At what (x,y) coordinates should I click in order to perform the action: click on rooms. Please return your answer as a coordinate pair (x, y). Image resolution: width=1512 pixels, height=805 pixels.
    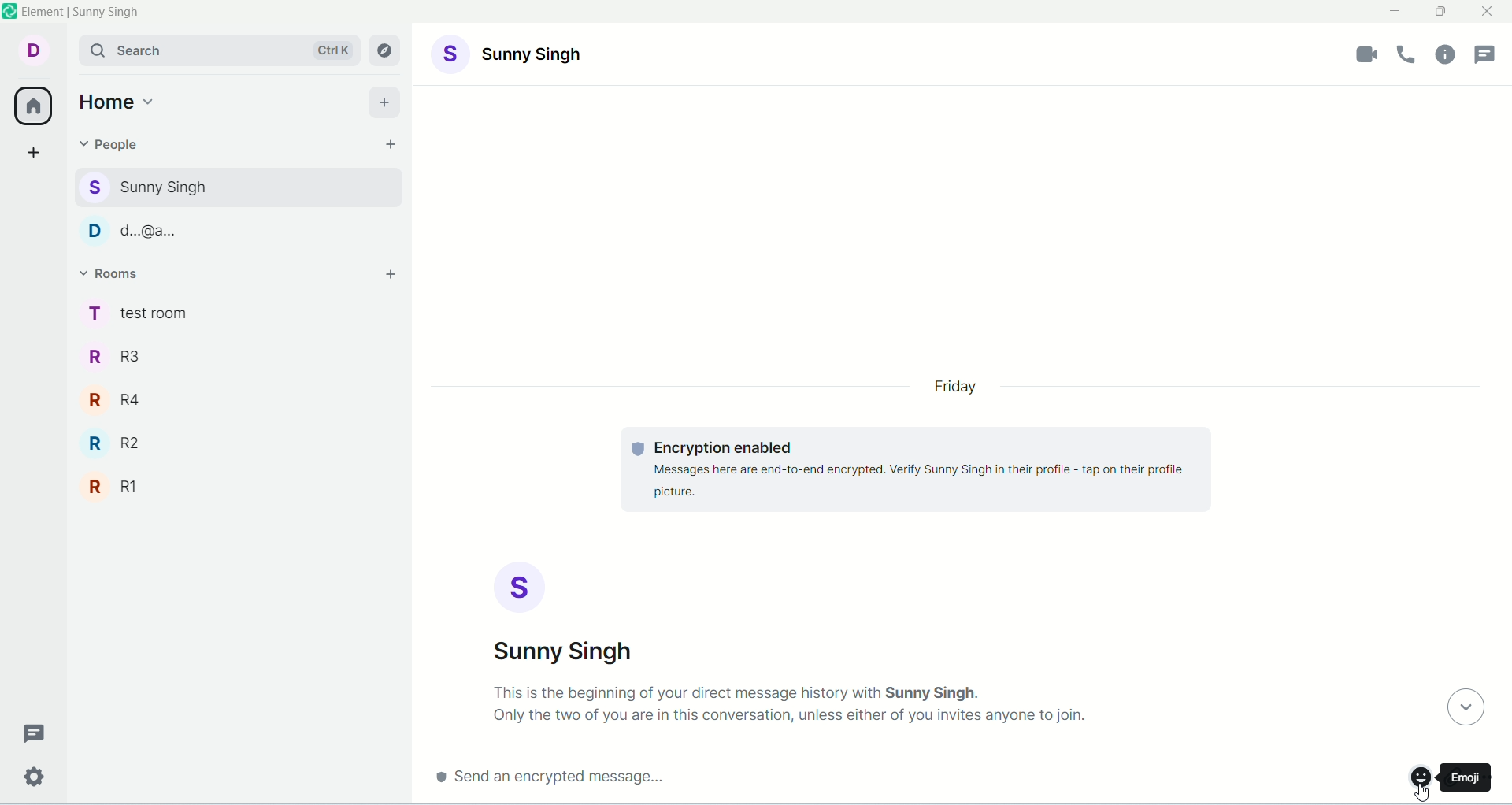
    Looking at the image, I should click on (116, 273).